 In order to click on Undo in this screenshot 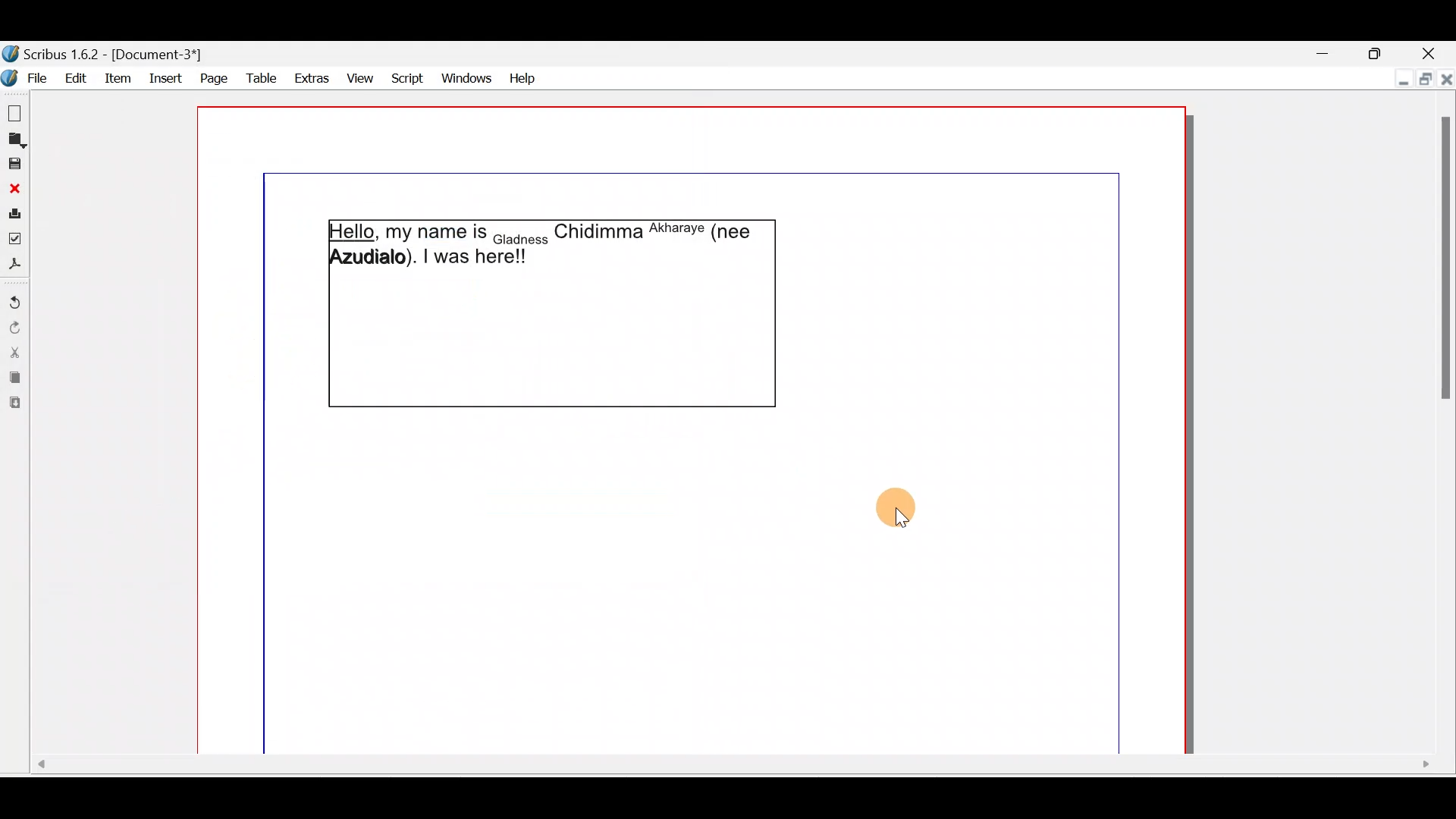, I will do `click(14, 300)`.